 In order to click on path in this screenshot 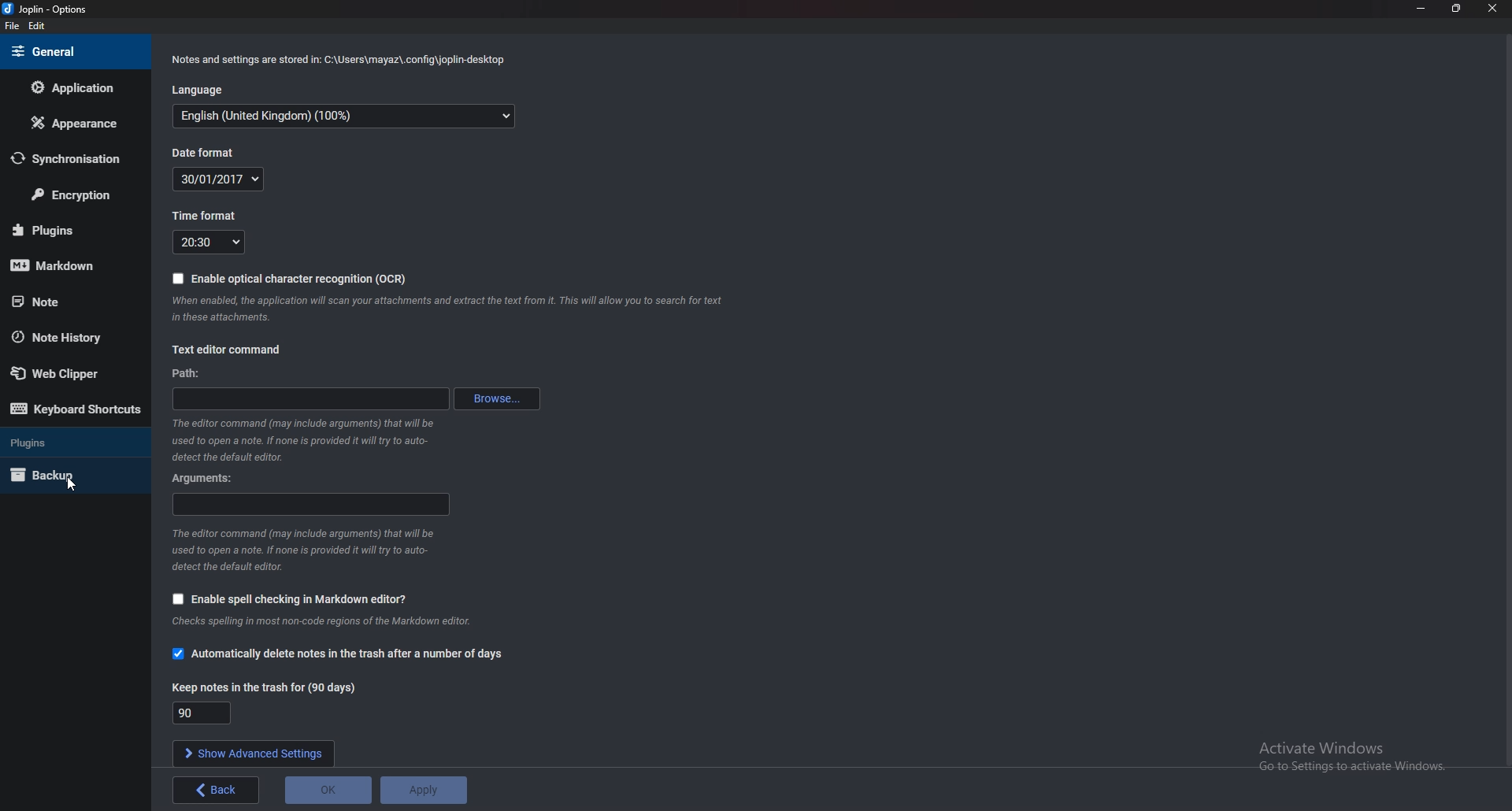, I will do `click(191, 373)`.